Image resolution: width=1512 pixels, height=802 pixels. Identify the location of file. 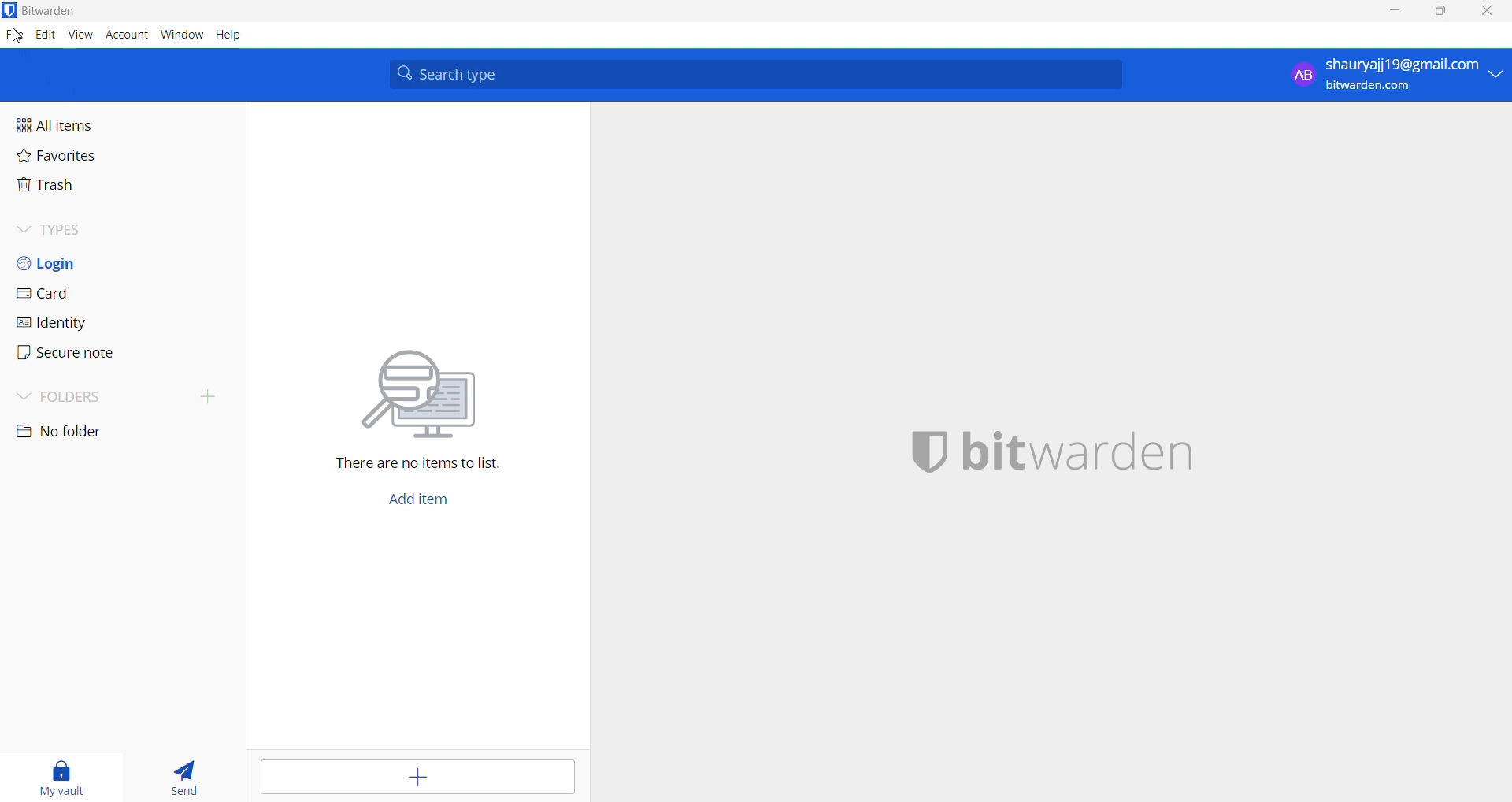
(16, 36).